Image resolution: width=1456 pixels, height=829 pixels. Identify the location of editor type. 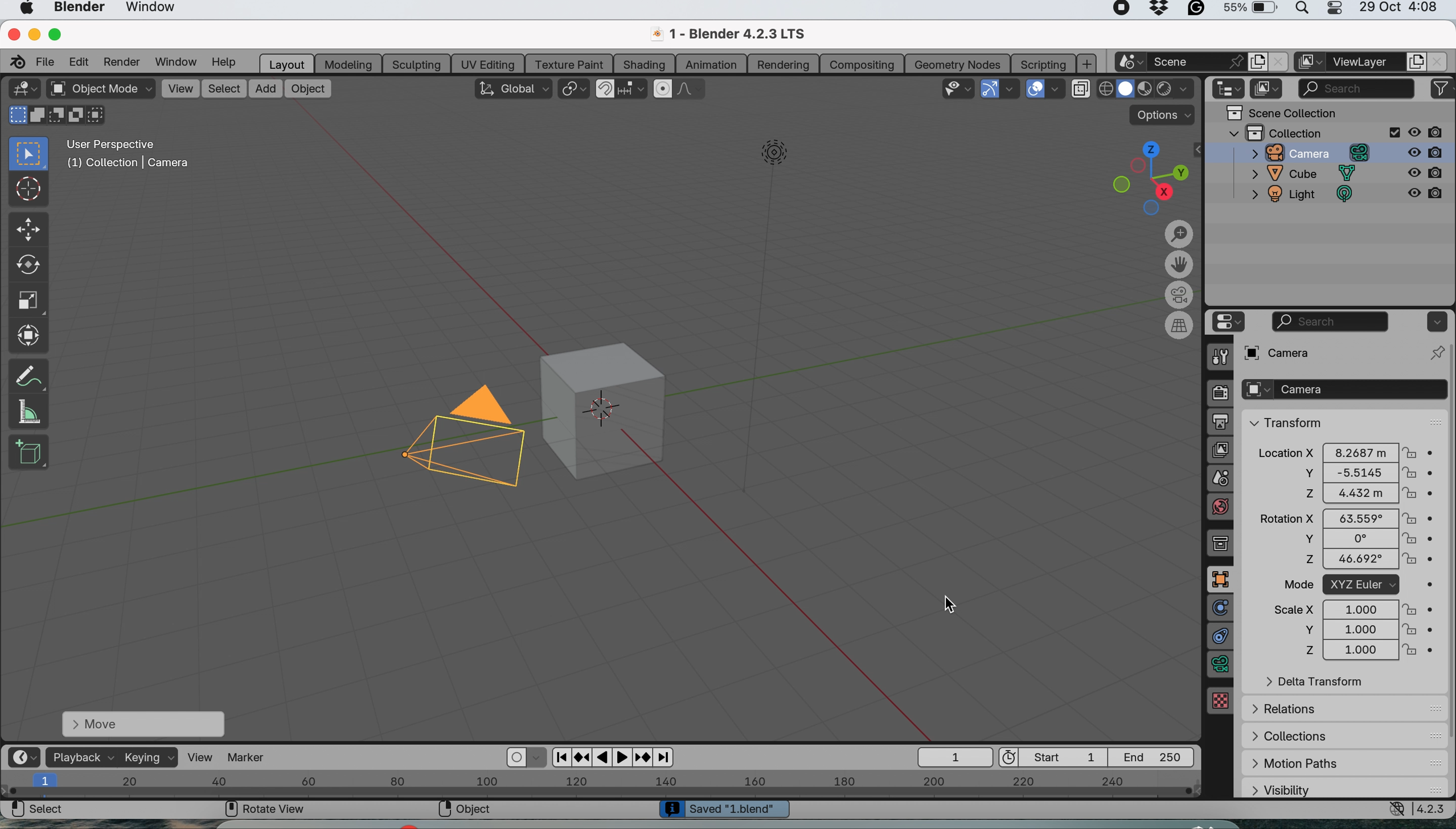
(1225, 322).